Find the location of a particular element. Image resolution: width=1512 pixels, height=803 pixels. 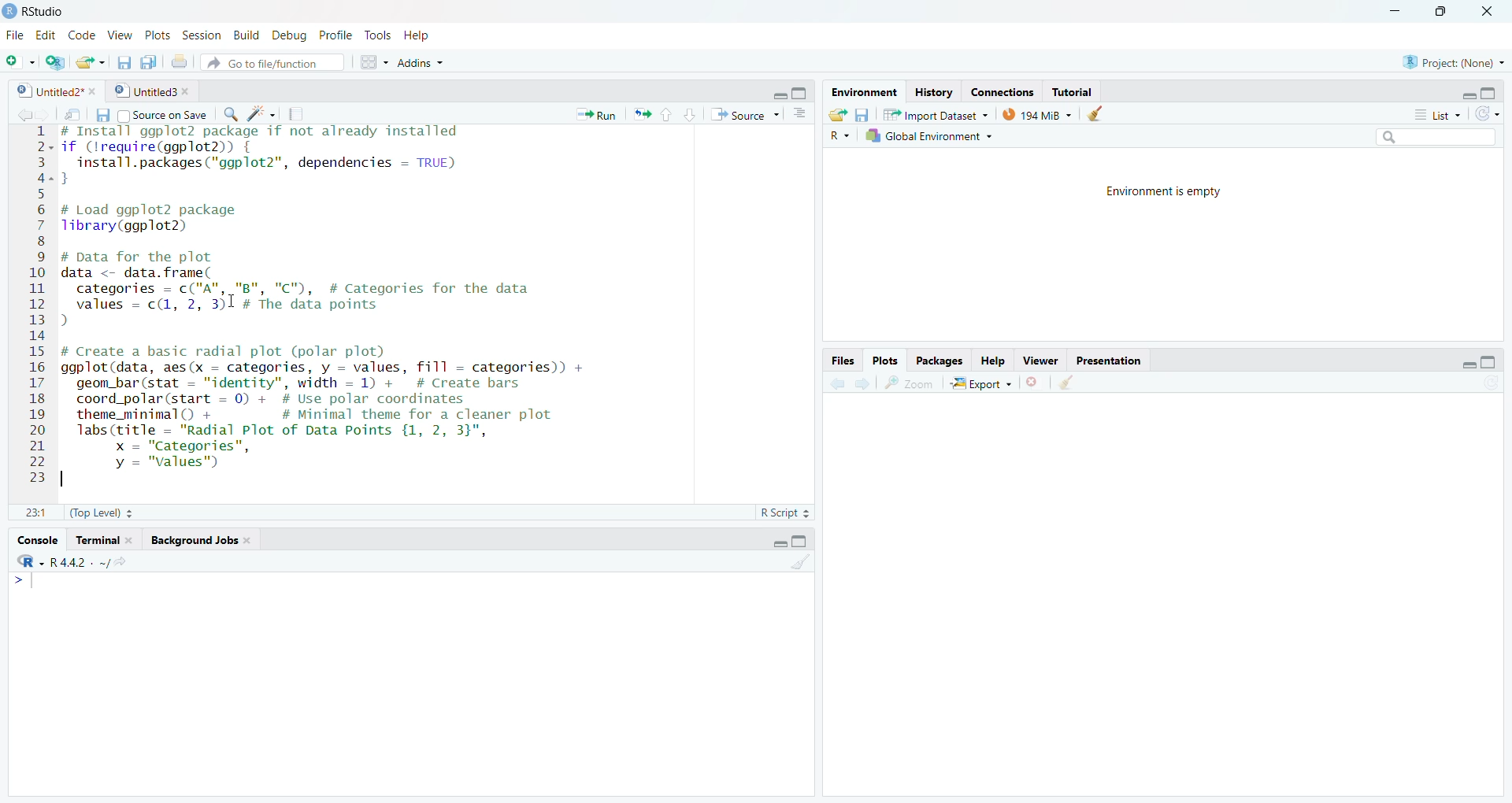

Code is located at coordinates (79, 36).